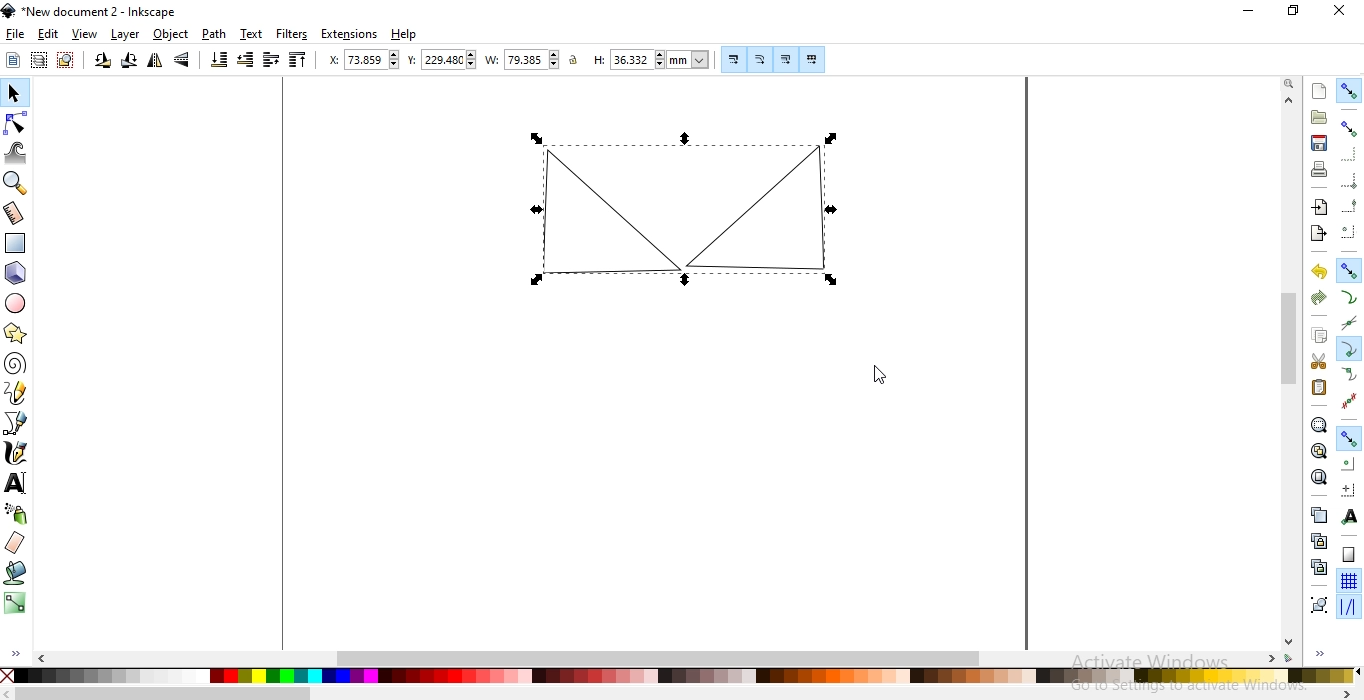  What do you see at coordinates (1316, 233) in the screenshot?
I see `export document` at bounding box center [1316, 233].